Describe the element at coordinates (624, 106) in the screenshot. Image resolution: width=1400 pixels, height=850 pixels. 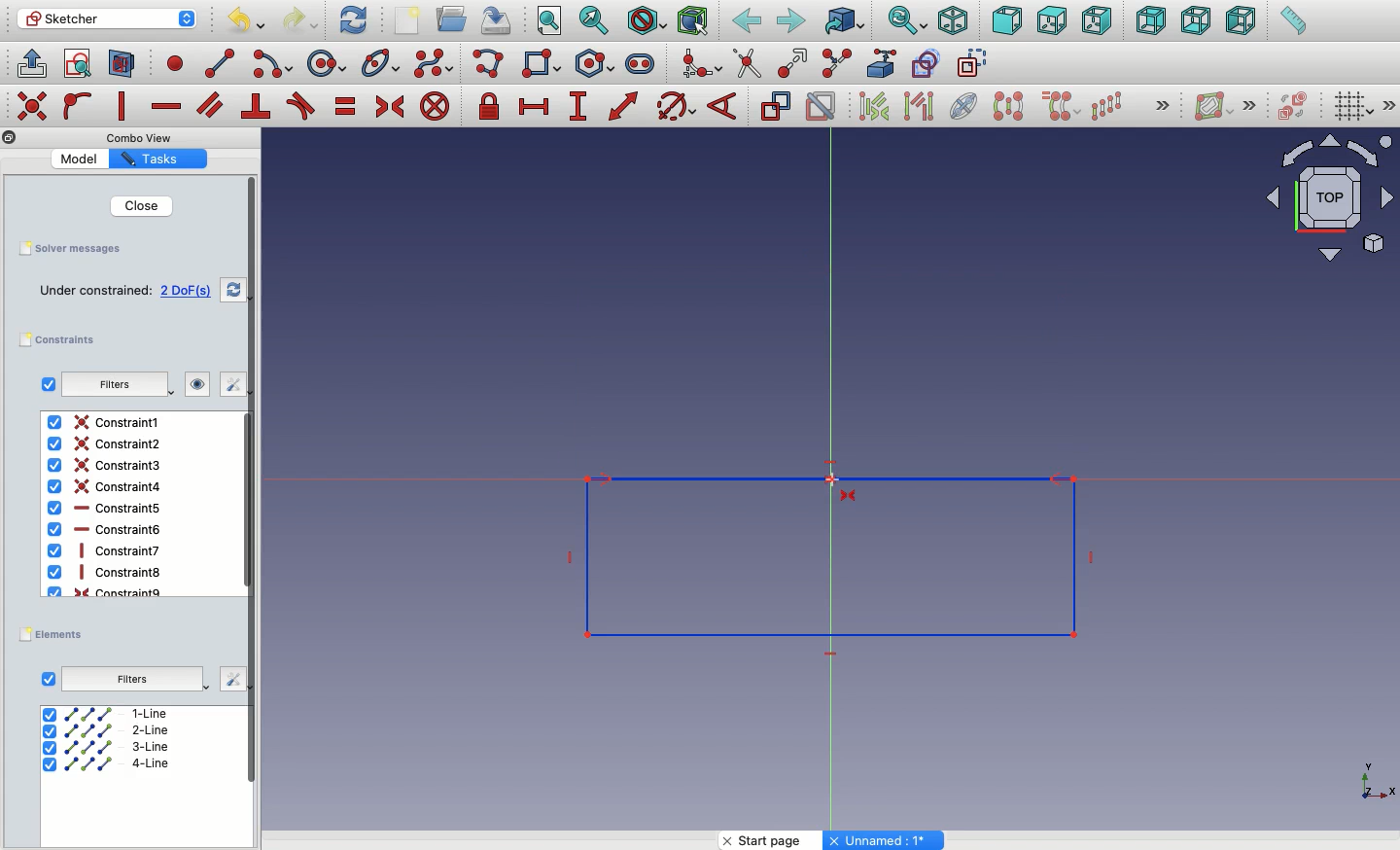
I see `constrain distance` at that location.